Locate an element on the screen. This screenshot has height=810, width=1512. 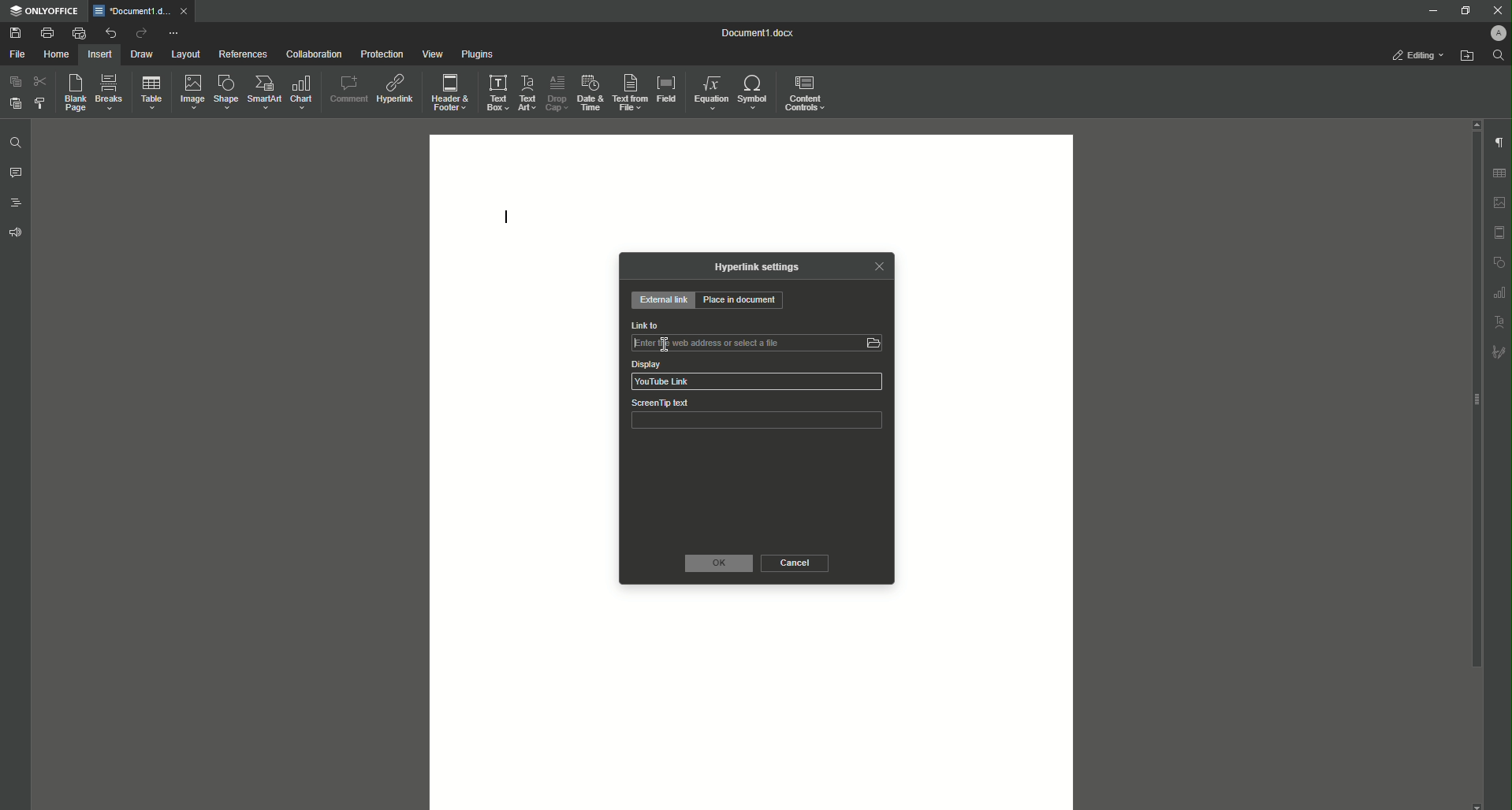
External Link is located at coordinates (663, 299).